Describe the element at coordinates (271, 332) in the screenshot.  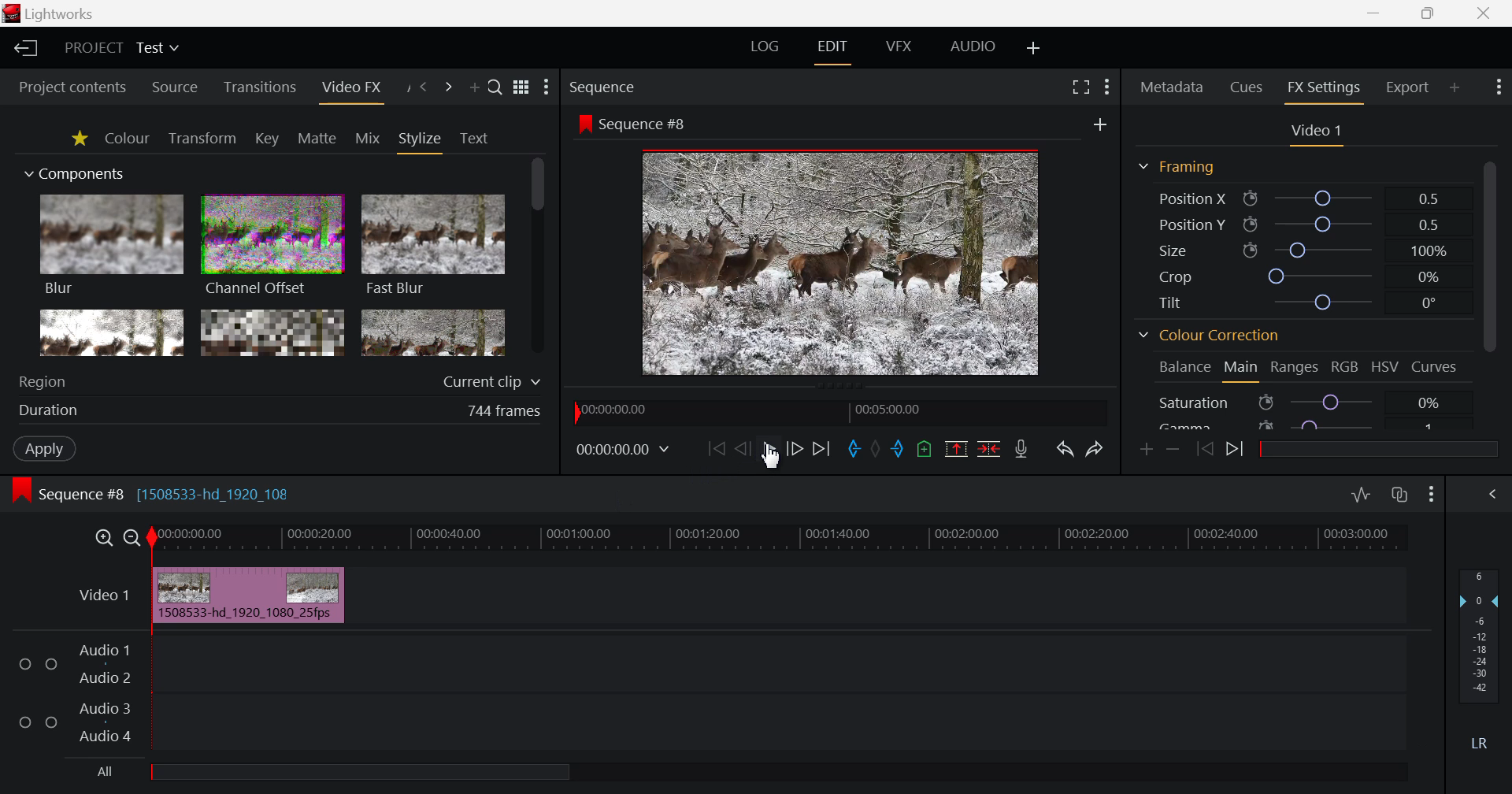
I see `Mosaic` at that location.